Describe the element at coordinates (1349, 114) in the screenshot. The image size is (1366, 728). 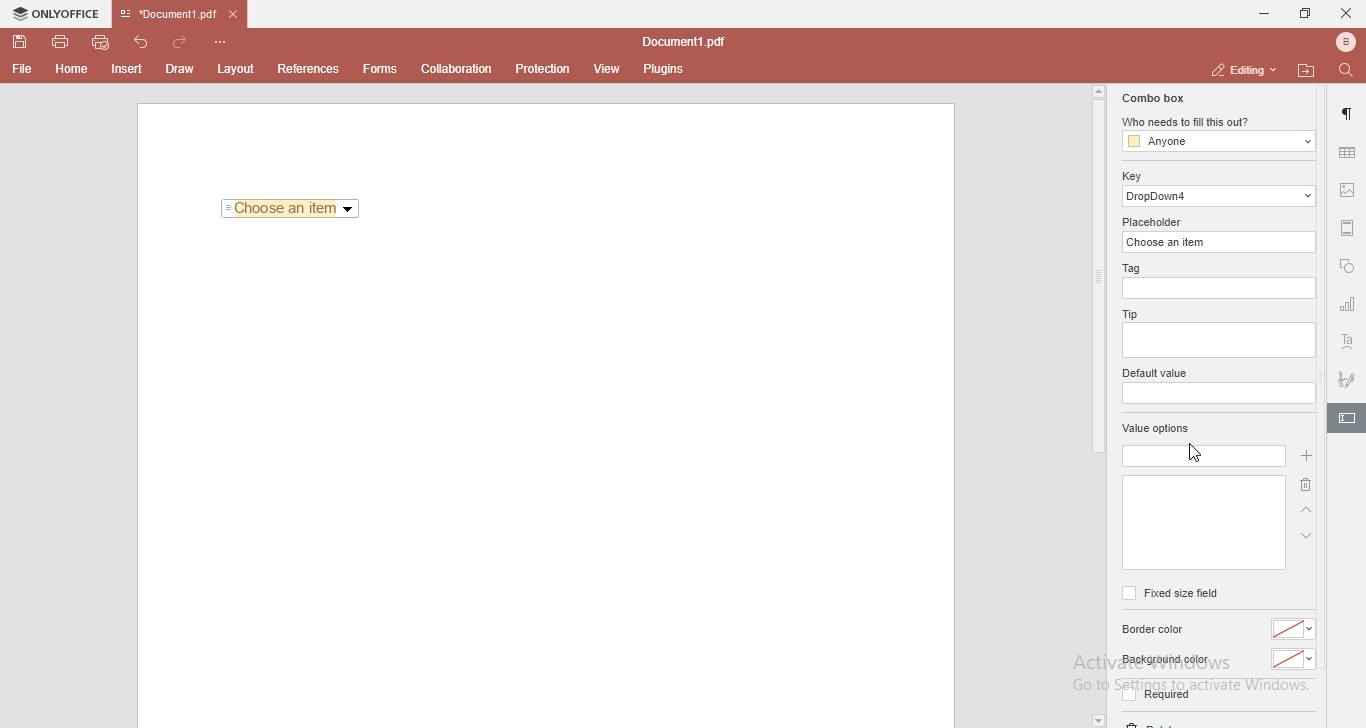
I see `paragraph` at that location.